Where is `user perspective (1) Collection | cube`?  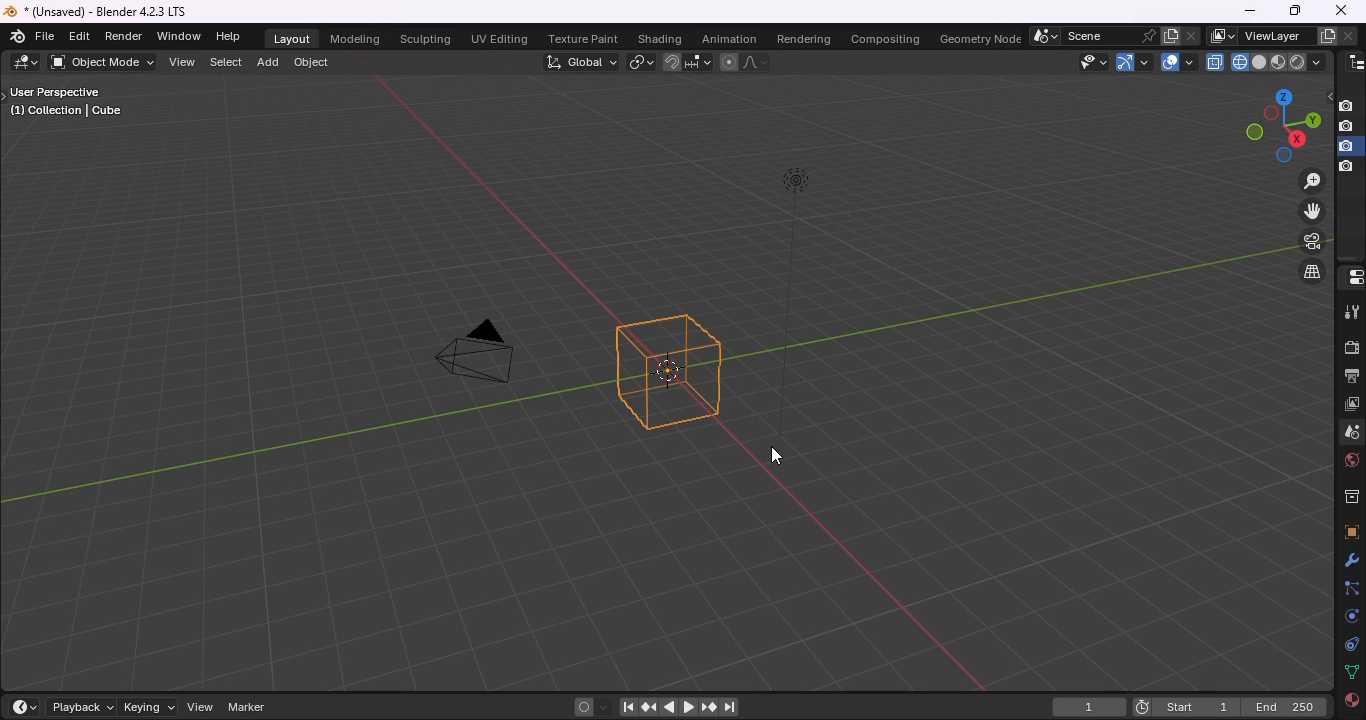 user perspective (1) Collection | cube is located at coordinates (73, 103).